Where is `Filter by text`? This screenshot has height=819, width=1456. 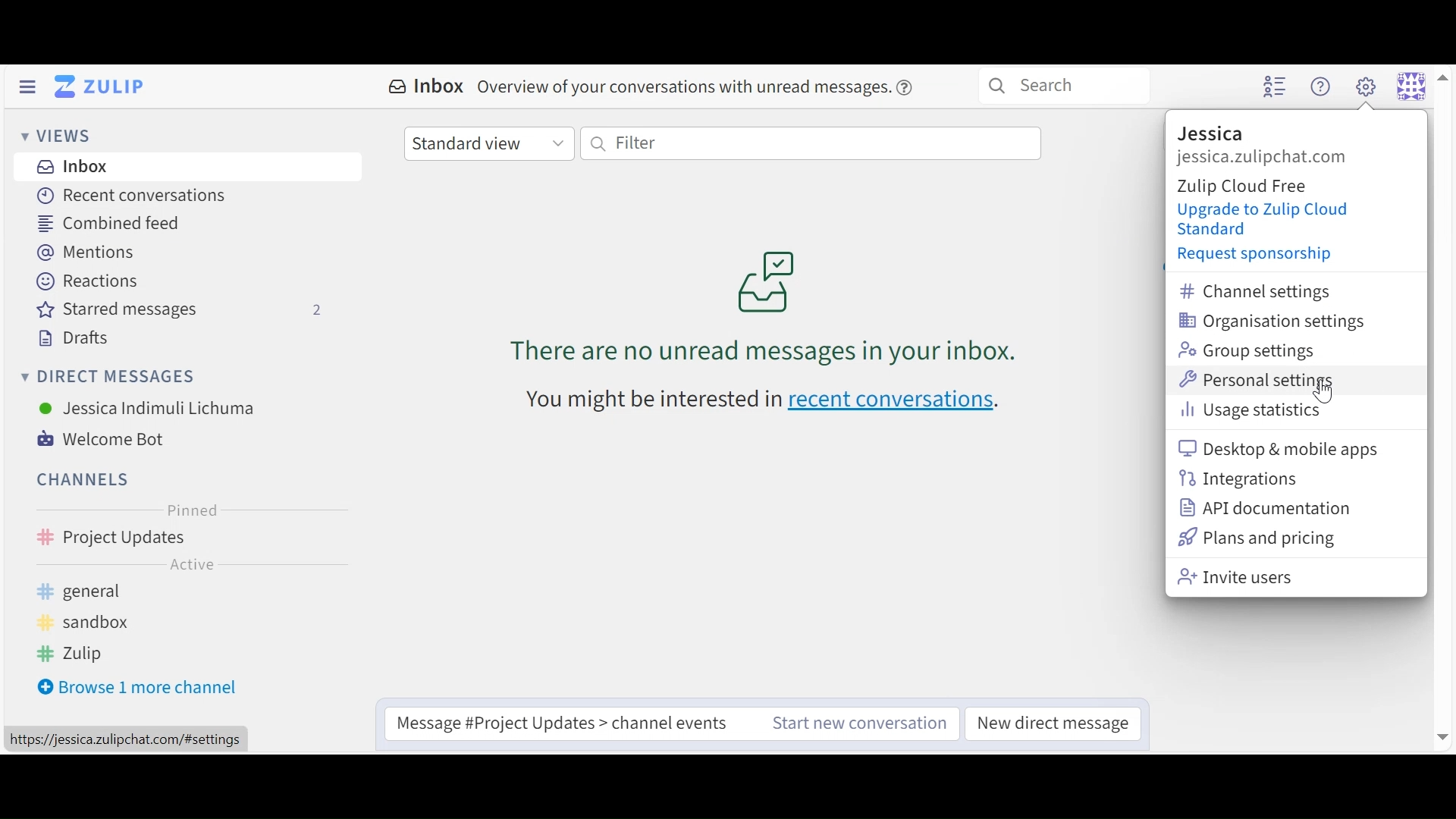 Filter by text is located at coordinates (813, 143).